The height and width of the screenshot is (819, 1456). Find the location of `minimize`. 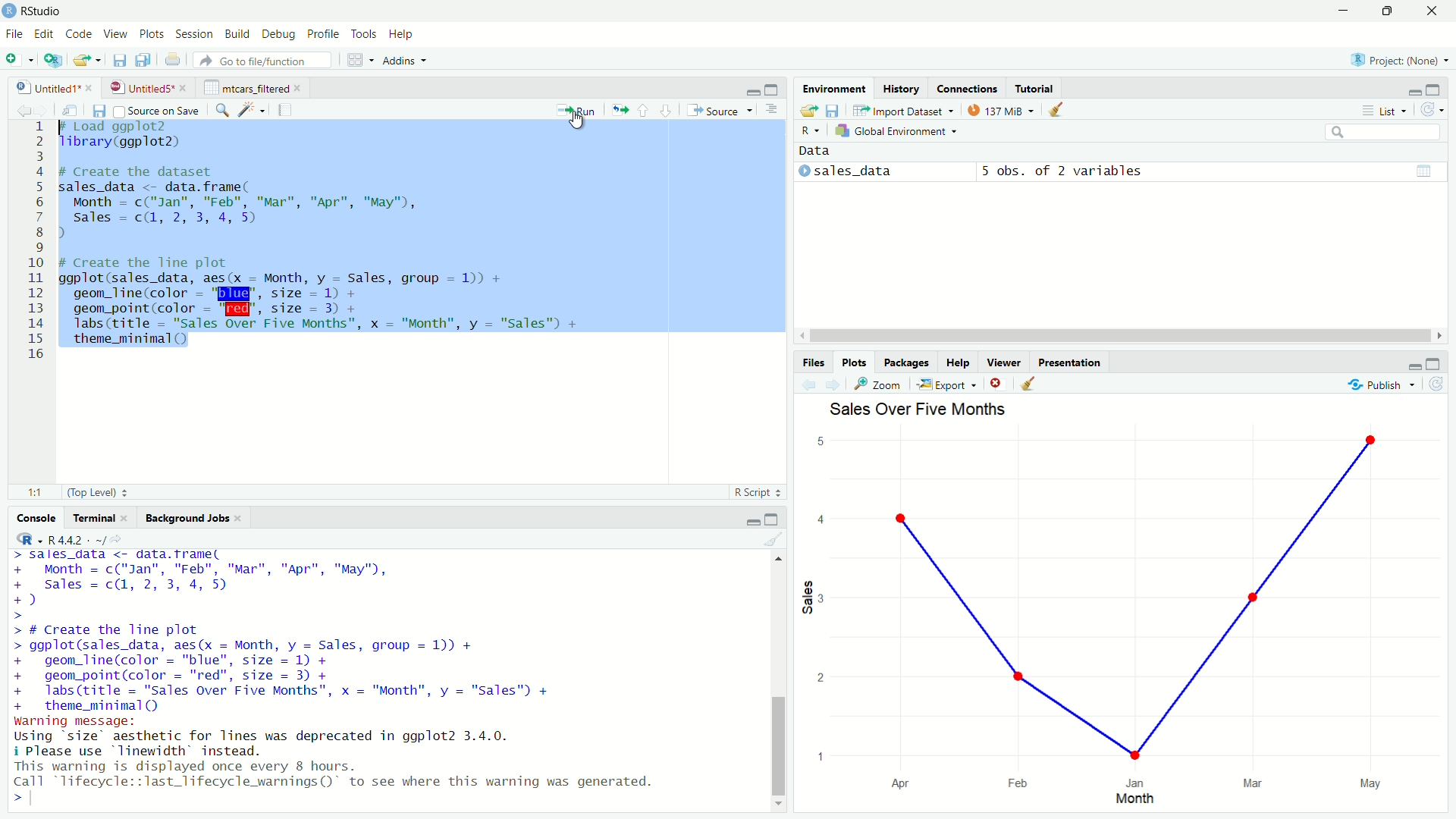

minimize is located at coordinates (752, 91).